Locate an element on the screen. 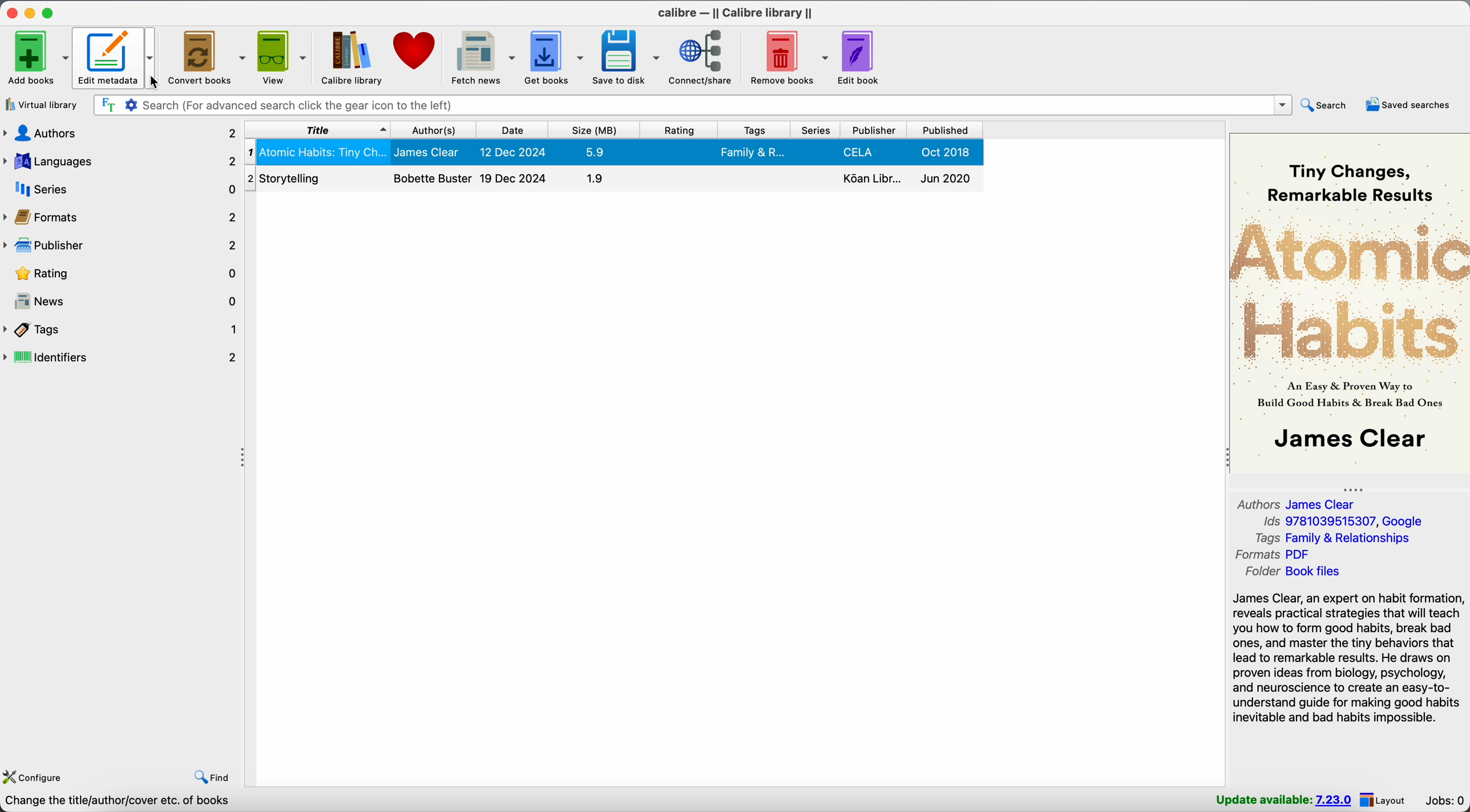 The image size is (1470, 812). saved searches is located at coordinates (1410, 105).